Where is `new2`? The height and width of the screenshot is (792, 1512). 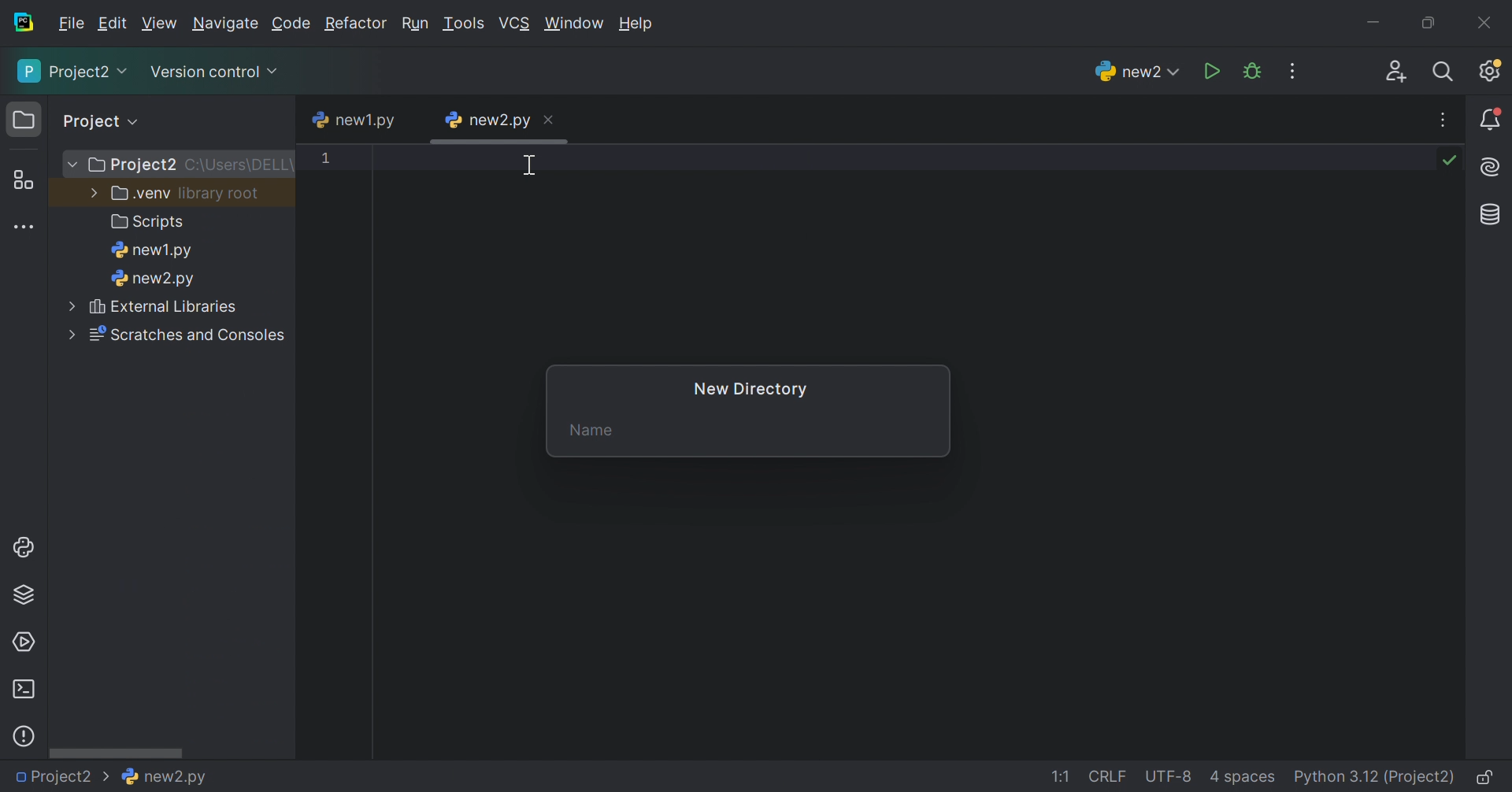 new2 is located at coordinates (1140, 70).